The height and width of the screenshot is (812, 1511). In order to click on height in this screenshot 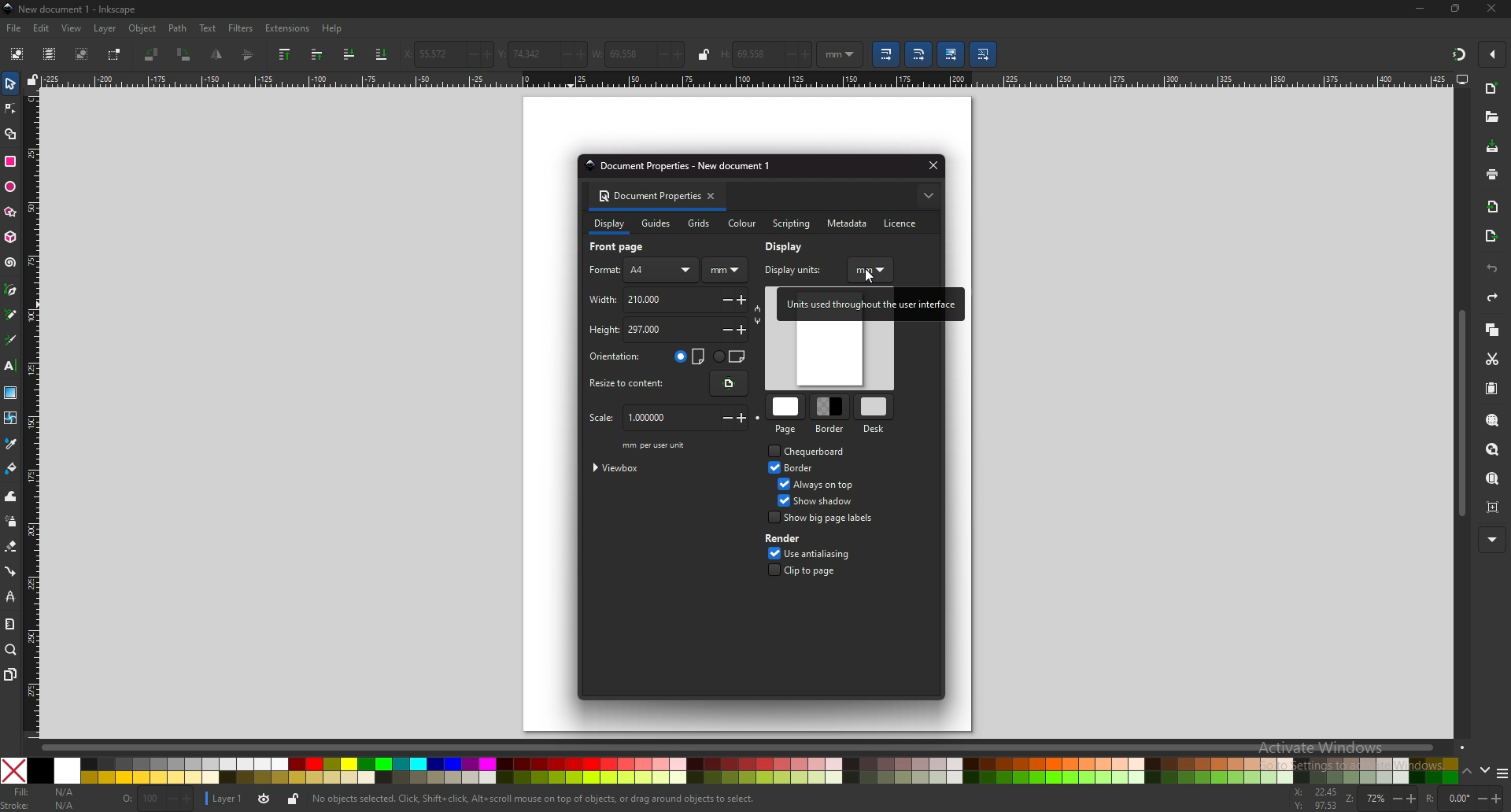, I will do `click(634, 330)`.